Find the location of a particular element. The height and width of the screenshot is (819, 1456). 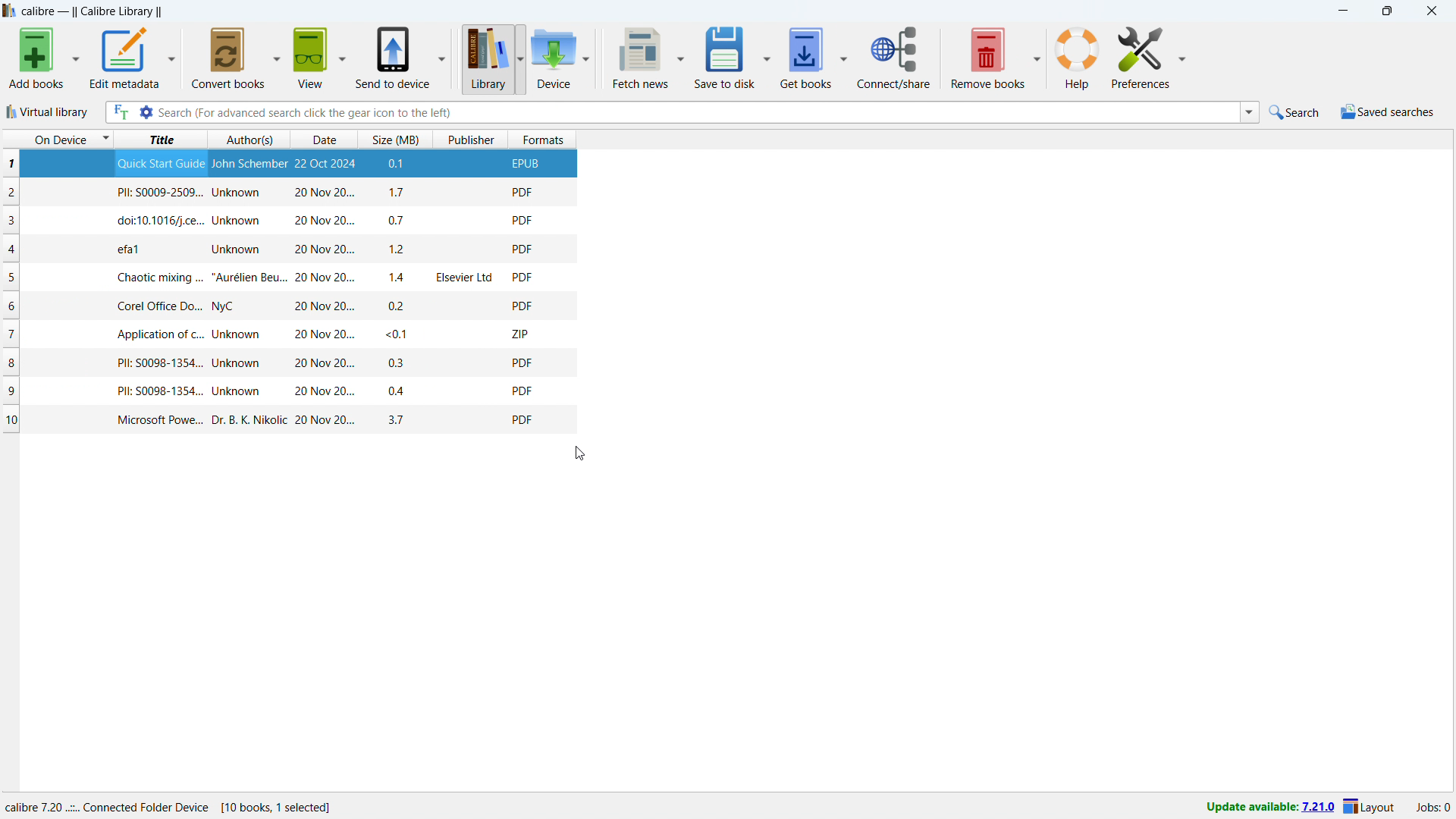

one book entry is located at coordinates (289, 250).